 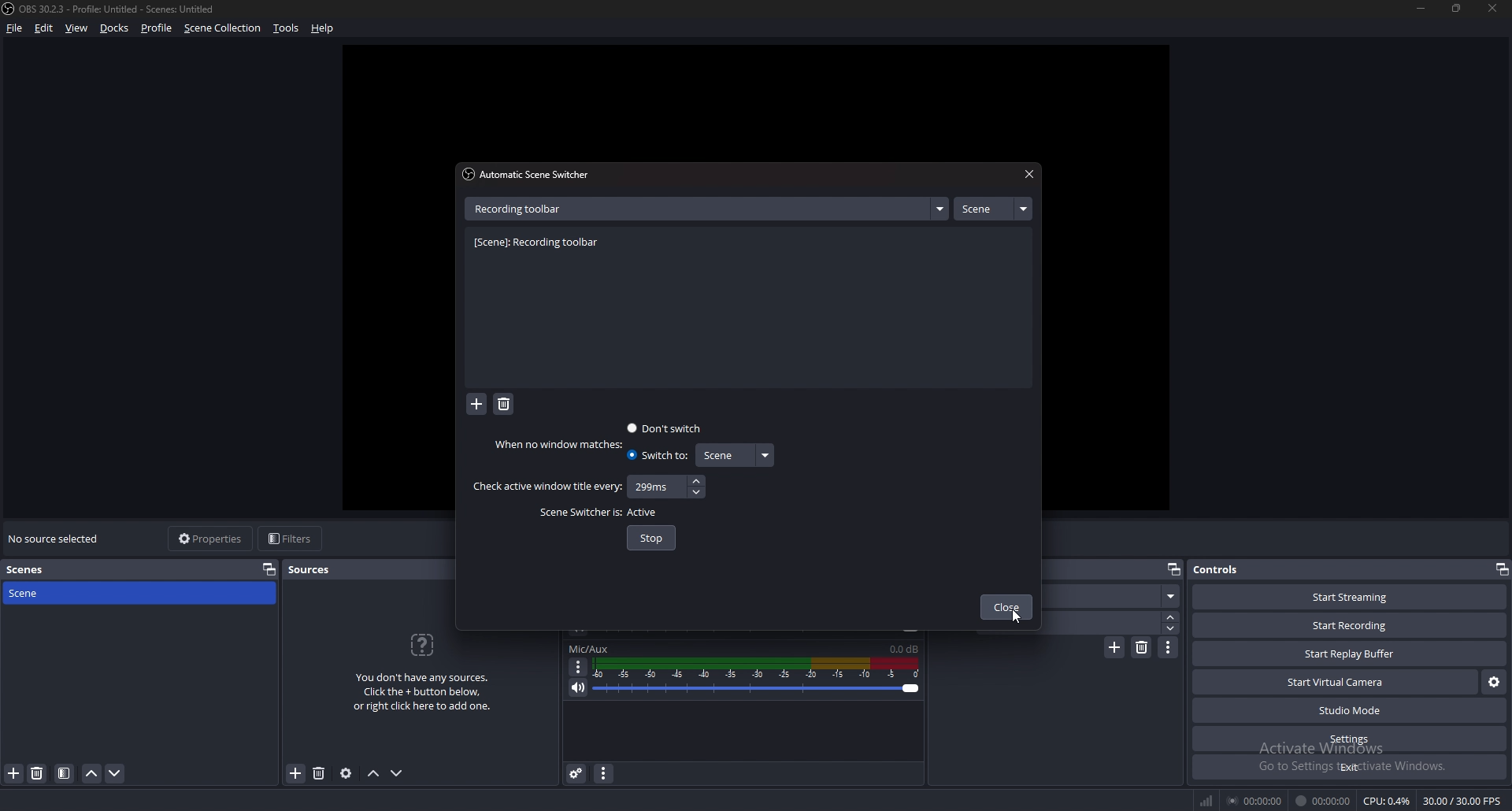 What do you see at coordinates (39, 570) in the screenshot?
I see `scenes` at bounding box center [39, 570].